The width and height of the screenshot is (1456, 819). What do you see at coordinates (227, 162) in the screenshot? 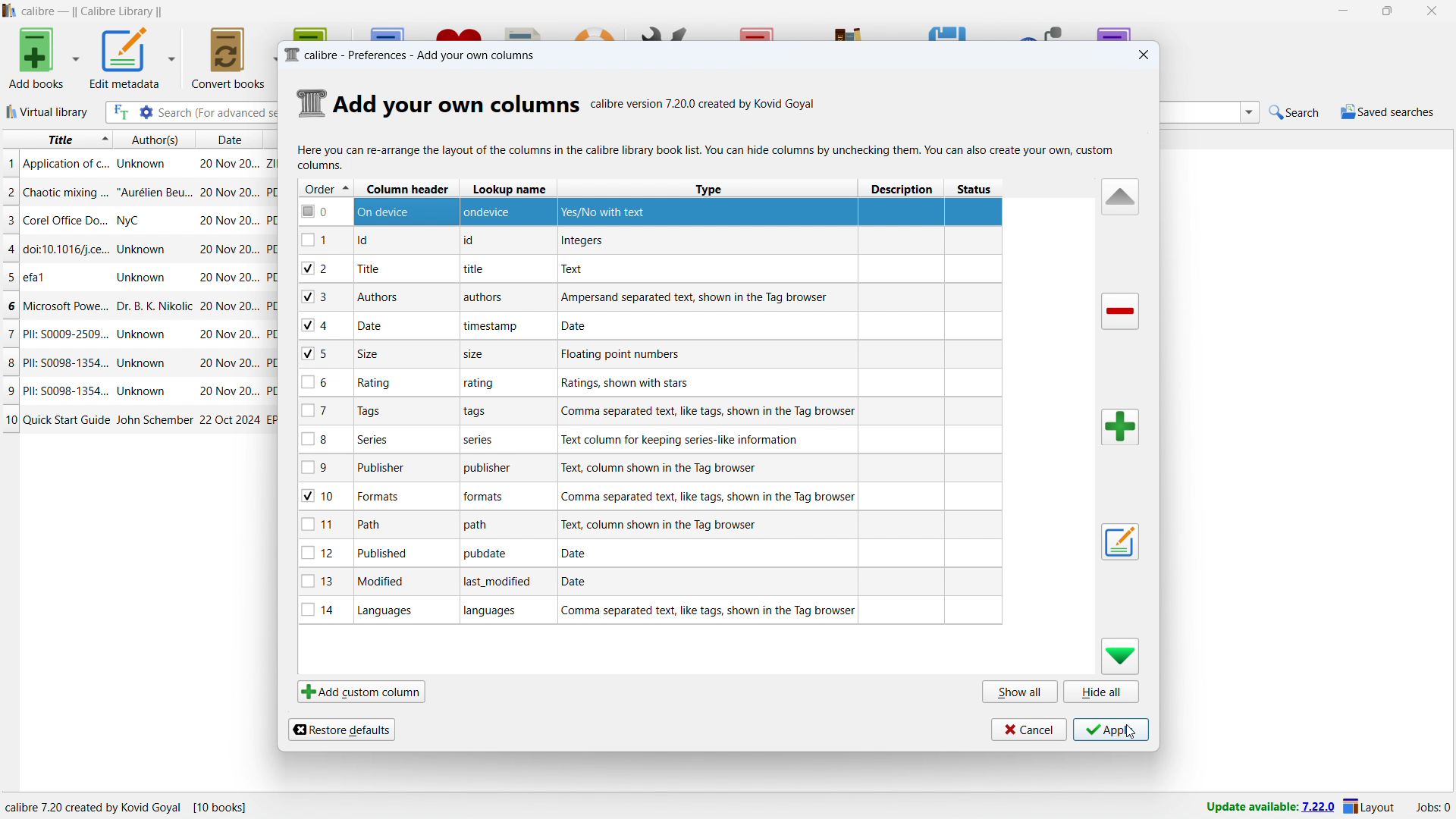
I see `date` at bounding box center [227, 162].